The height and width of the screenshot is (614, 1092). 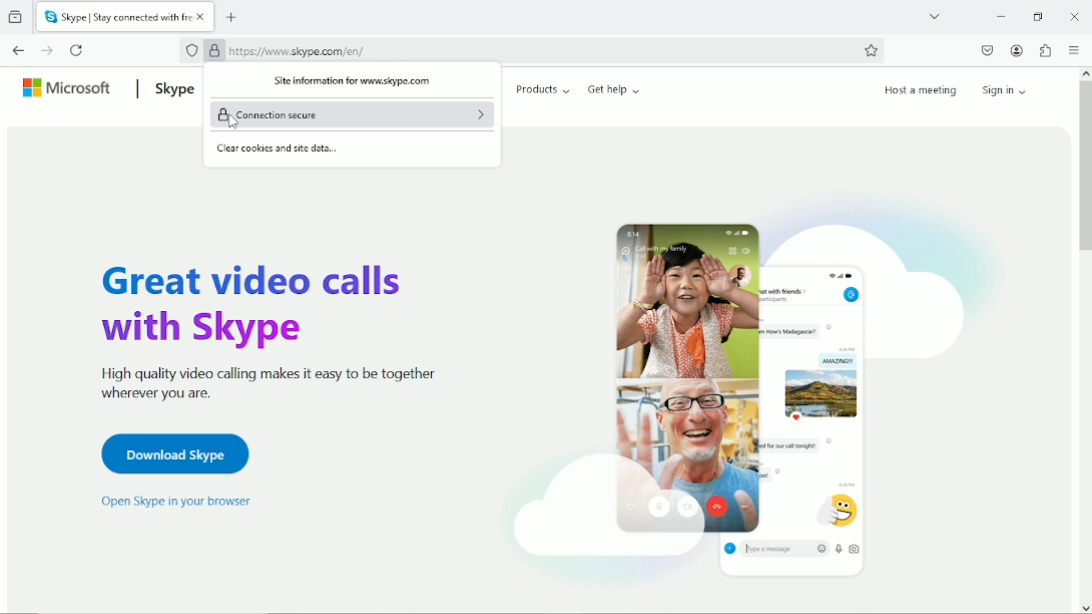 What do you see at coordinates (117, 17) in the screenshot?
I see `Current tab` at bounding box center [117, 17].